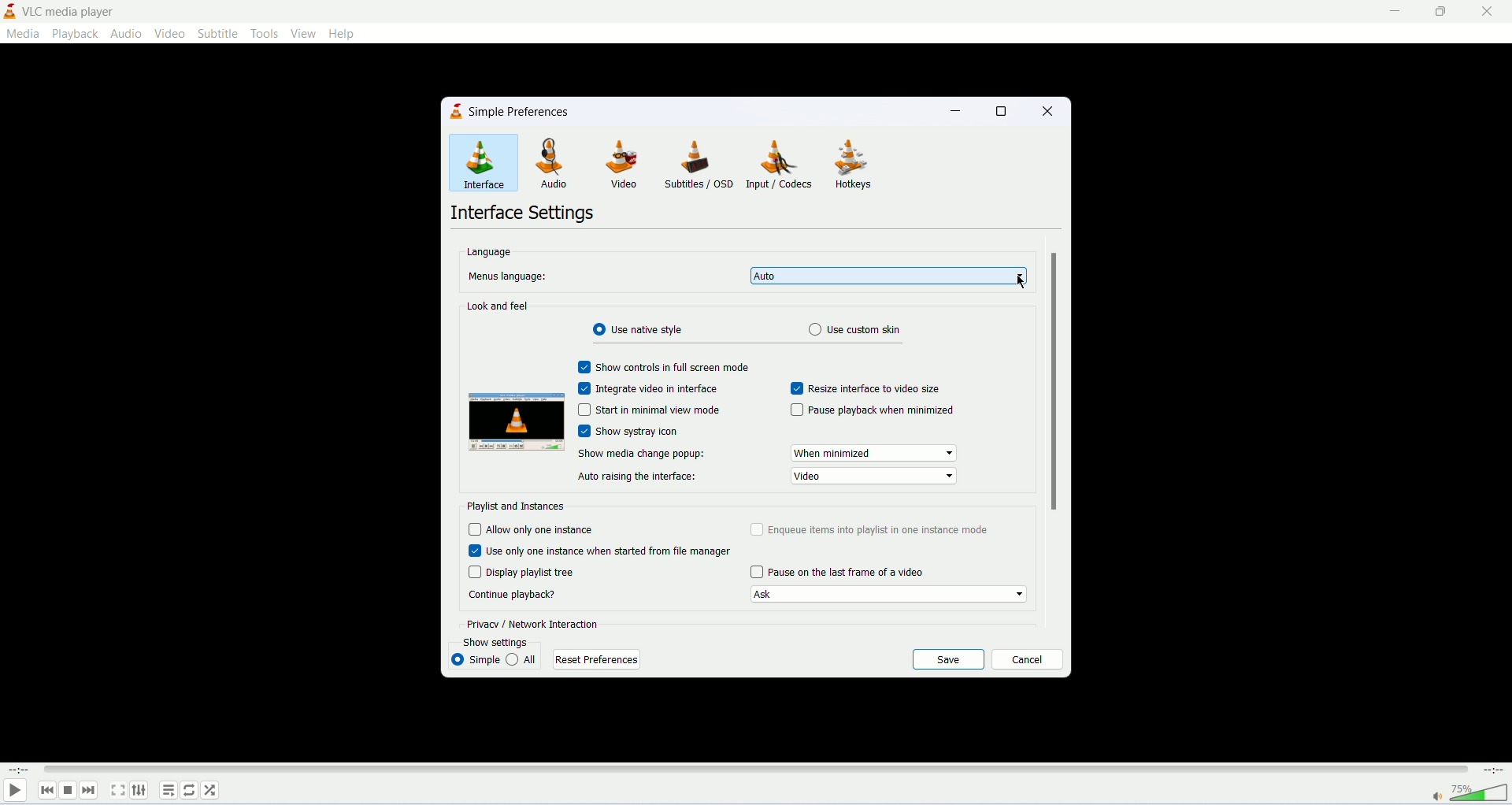  Describe the element at coordinates (20, 770) in the screenshot. I see `elapsed` at that location.